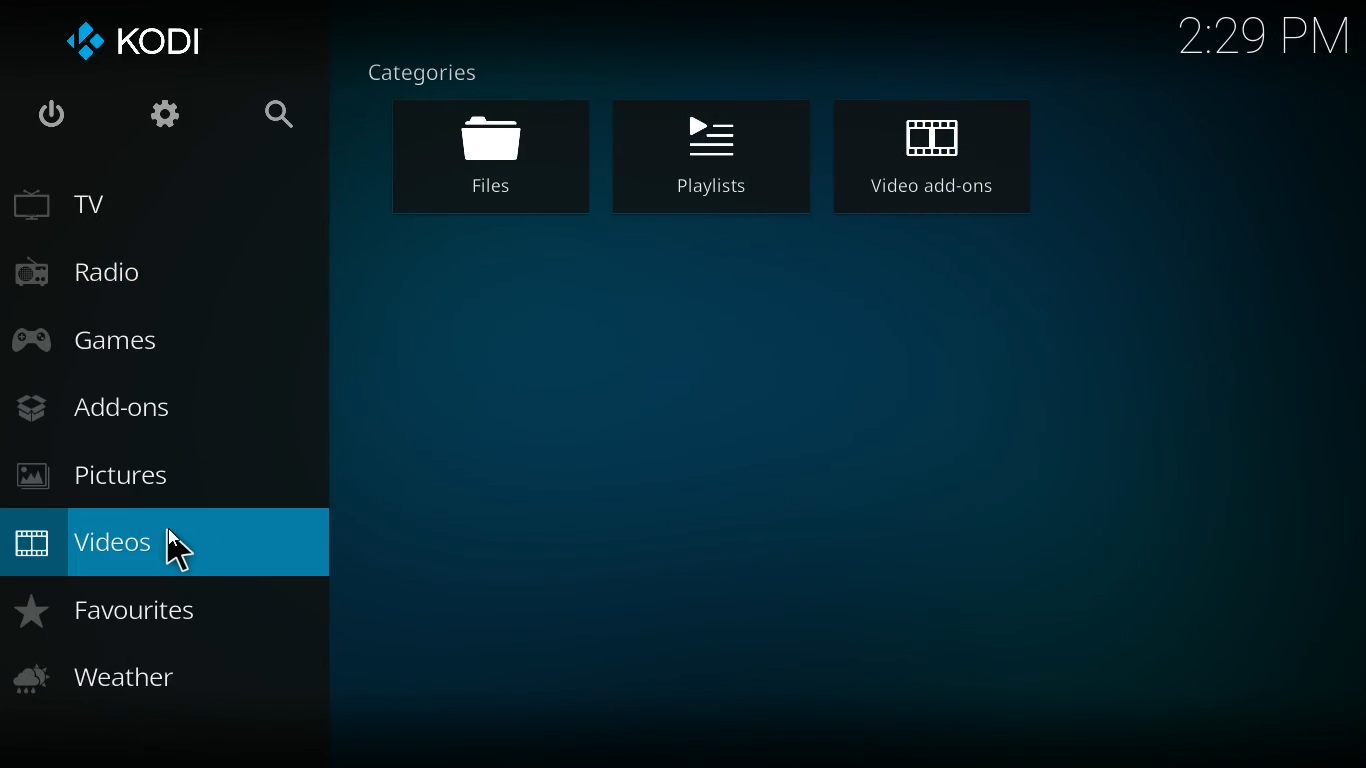 The image size is (1366, 768). I want to click on add-ons, so click(155, 406).